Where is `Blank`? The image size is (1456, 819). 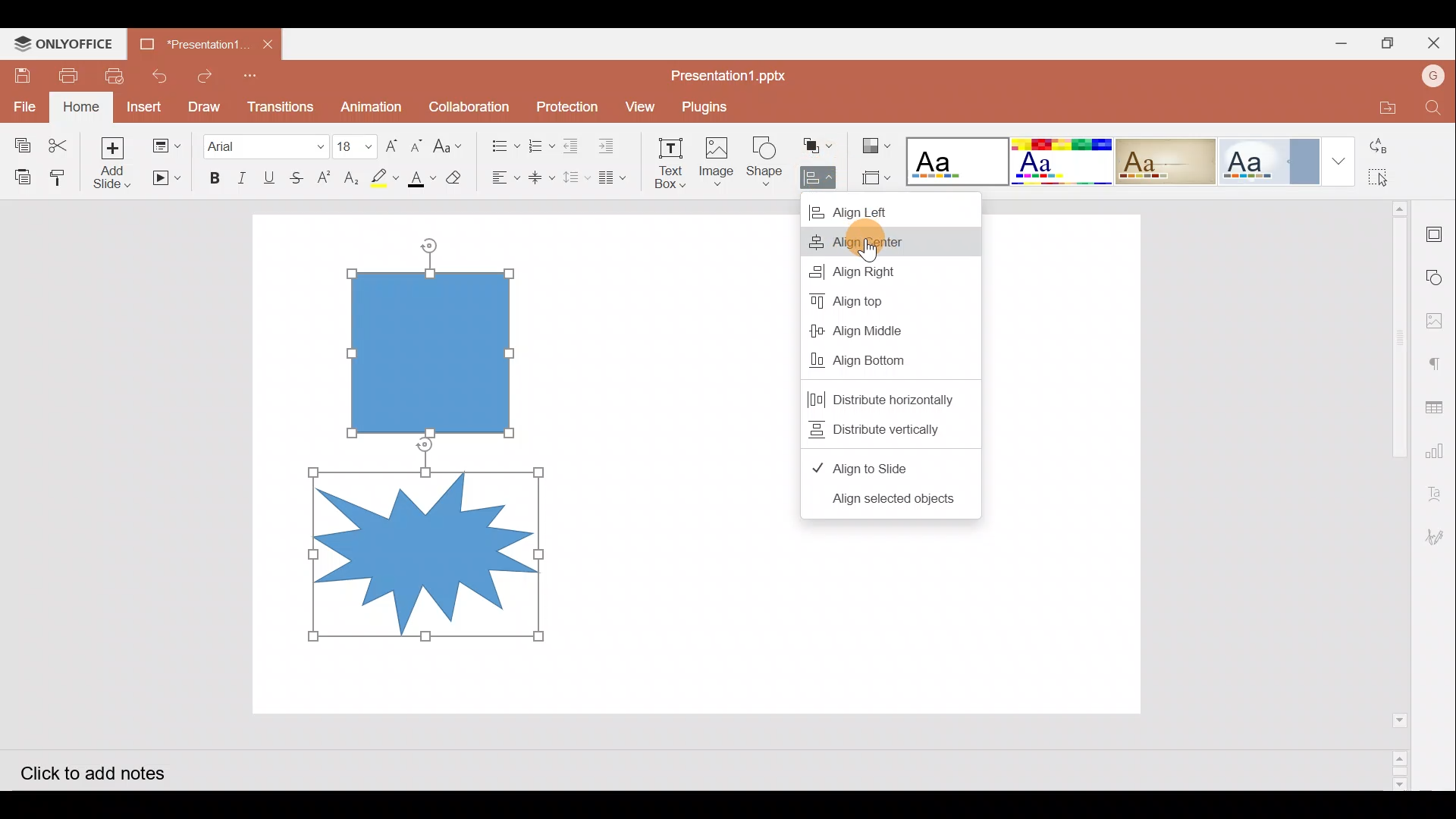 Blank is located at coordinates (955, 157).